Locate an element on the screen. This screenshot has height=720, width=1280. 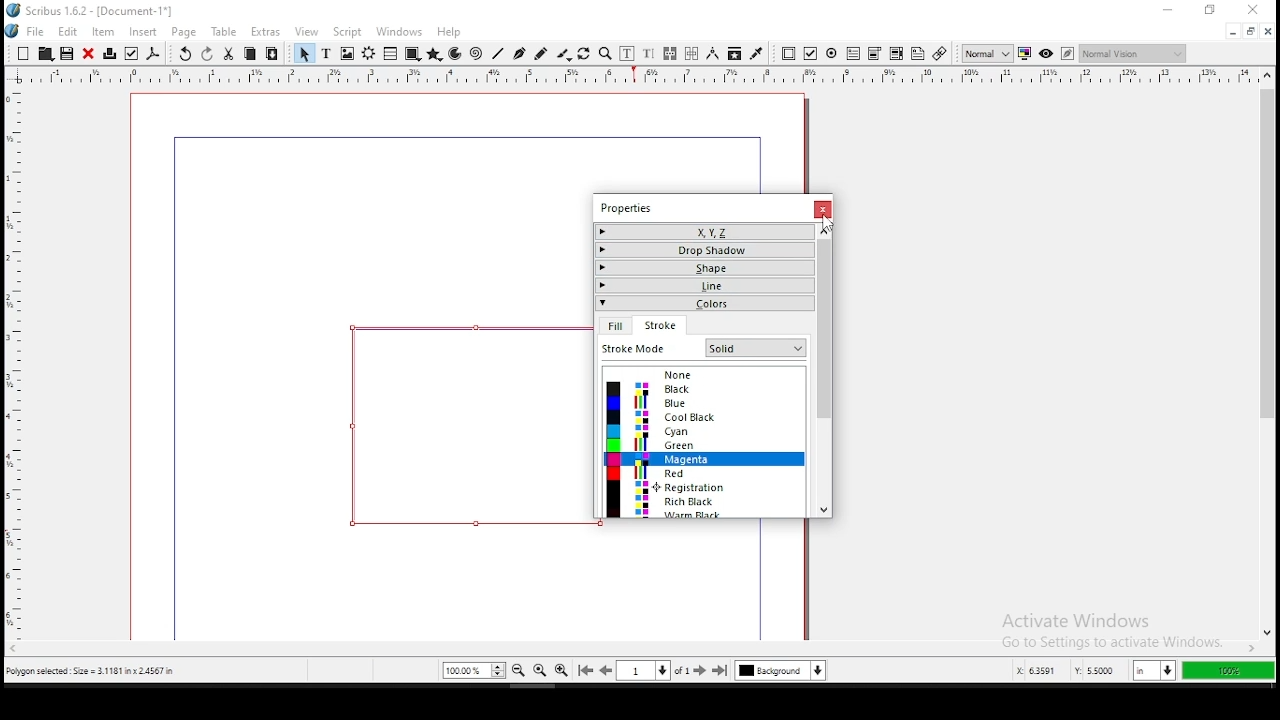
icon and file name is located at coordinates (91, 11).